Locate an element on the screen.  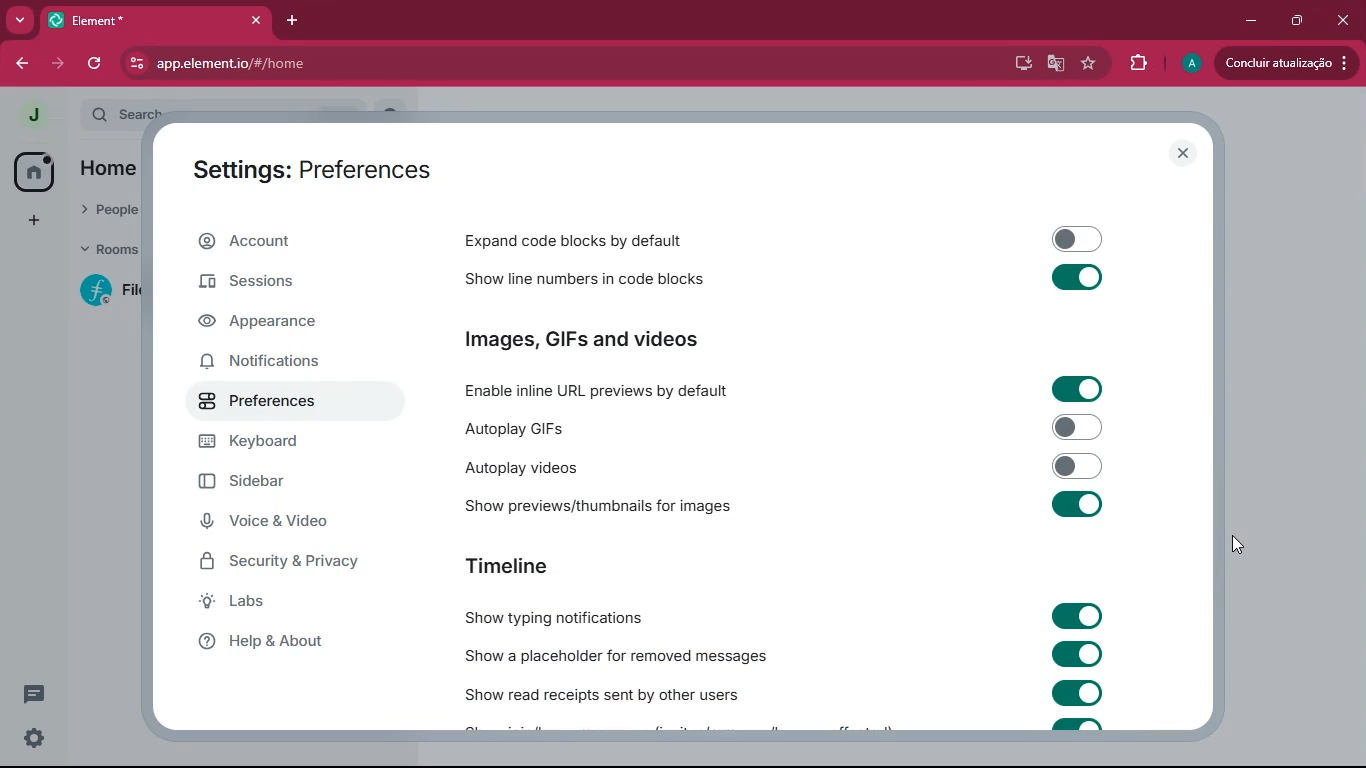
update is located at coordinates (1286, 61).